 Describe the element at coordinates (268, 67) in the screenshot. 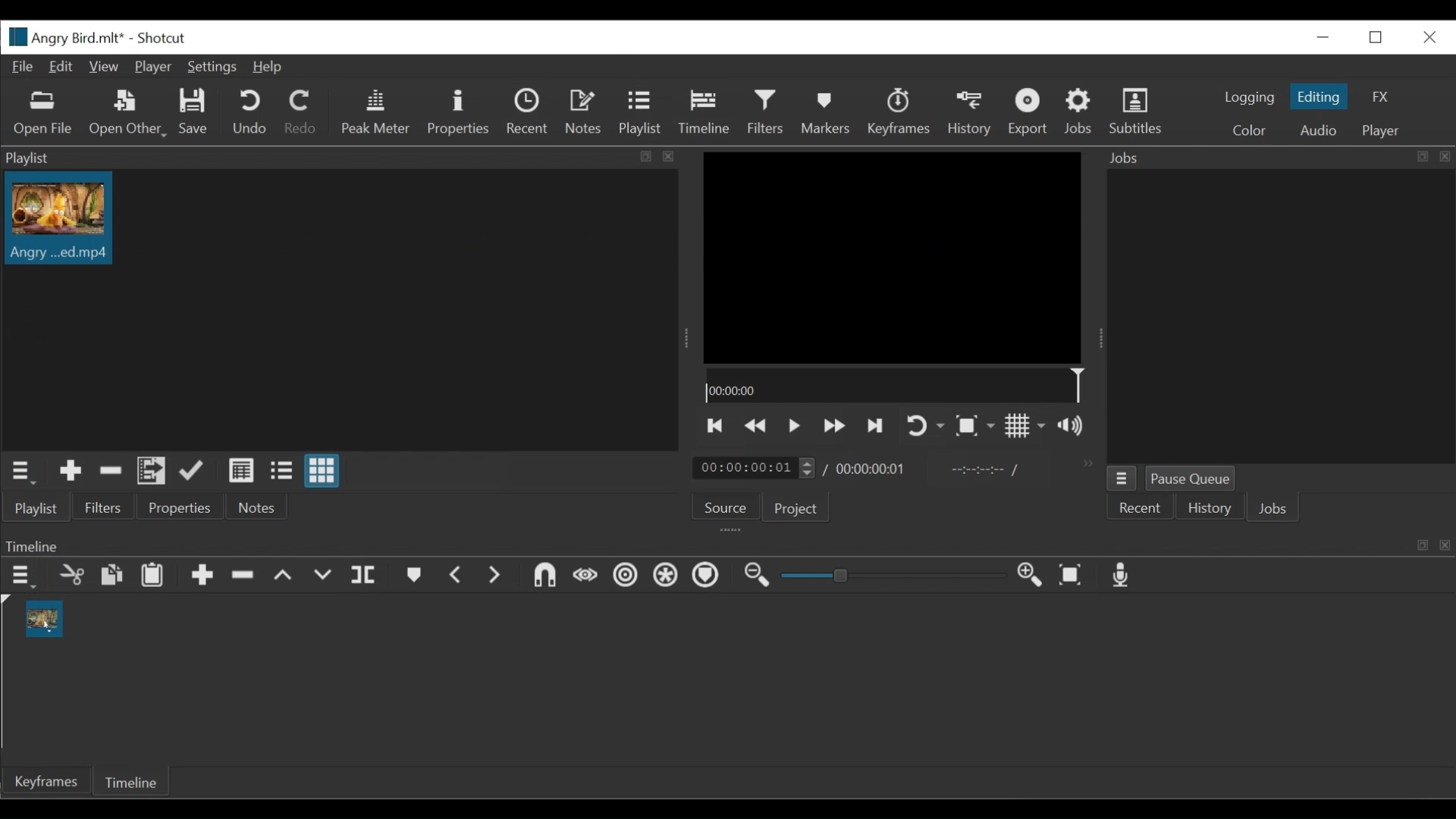

I see `Help` at that location.